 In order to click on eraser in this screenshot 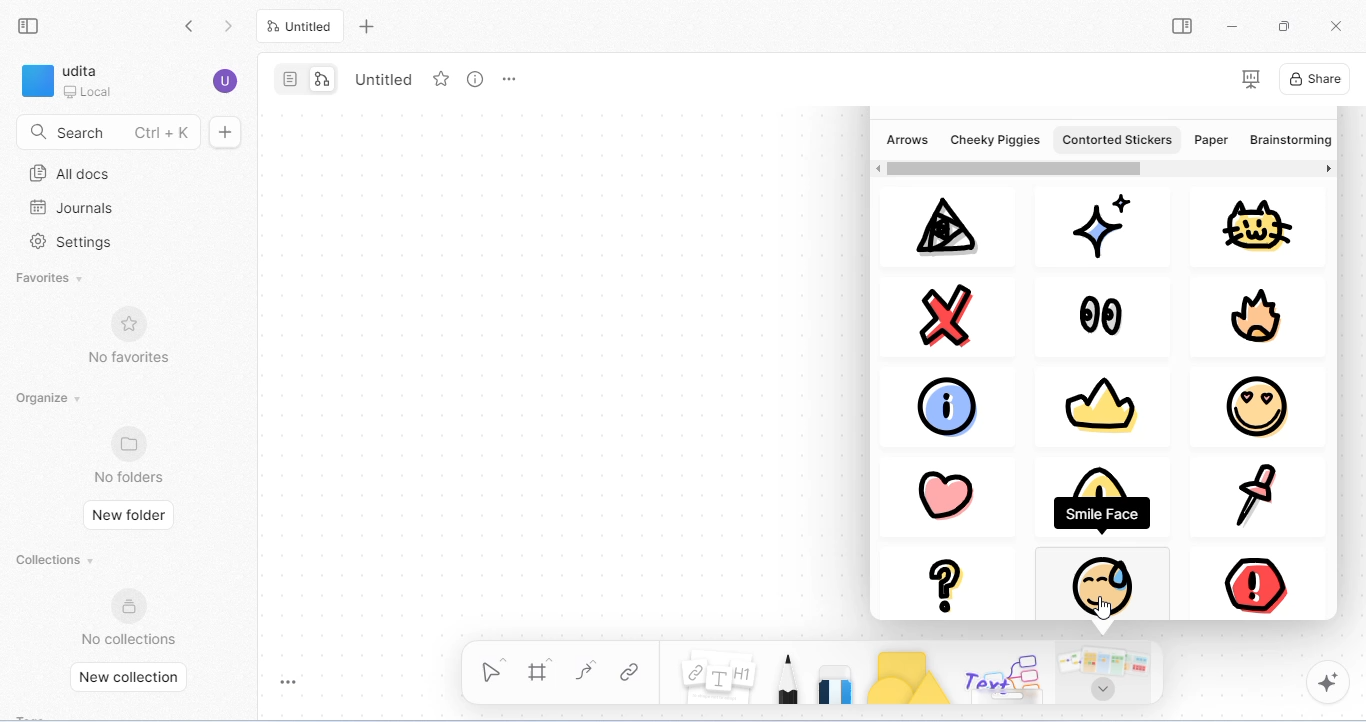, I will do `click(837, 682)`.